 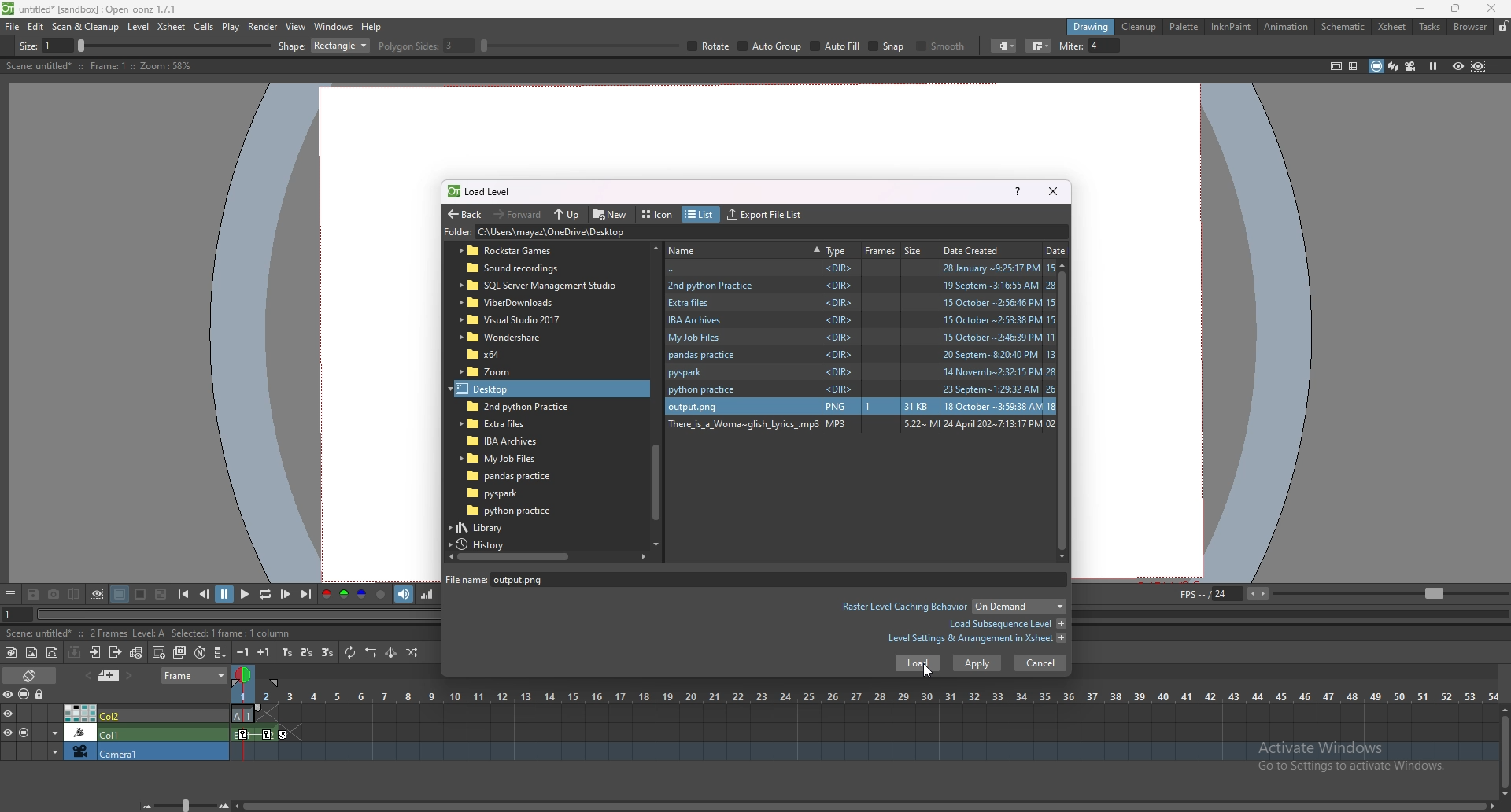 What do you see at coordinates (13, 26) in the screenshot?
I see `file` at bounding box center [13, 26].